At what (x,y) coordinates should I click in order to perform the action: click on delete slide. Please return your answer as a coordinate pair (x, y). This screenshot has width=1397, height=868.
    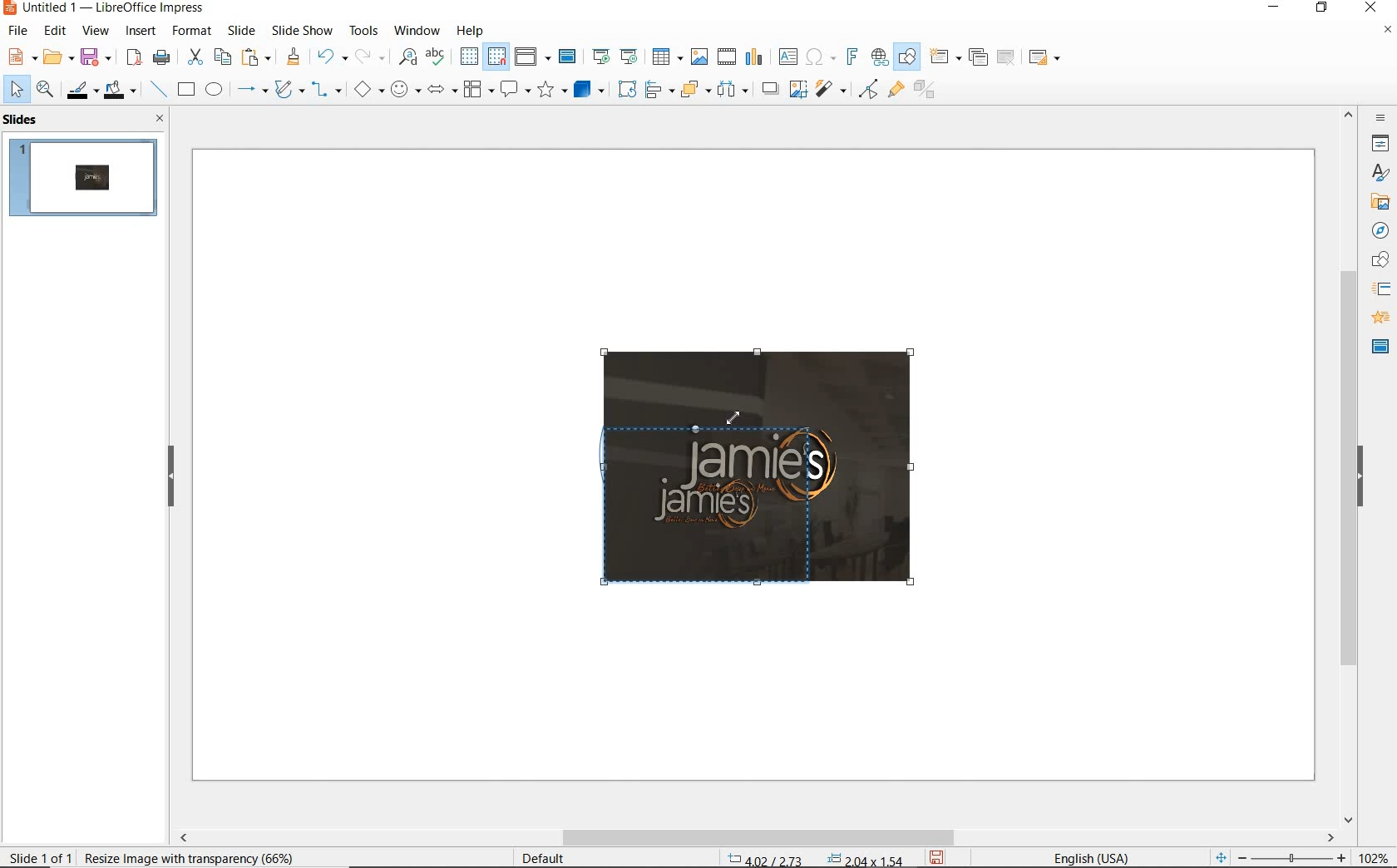
    Looking at the image, I should click on (1006, 58).